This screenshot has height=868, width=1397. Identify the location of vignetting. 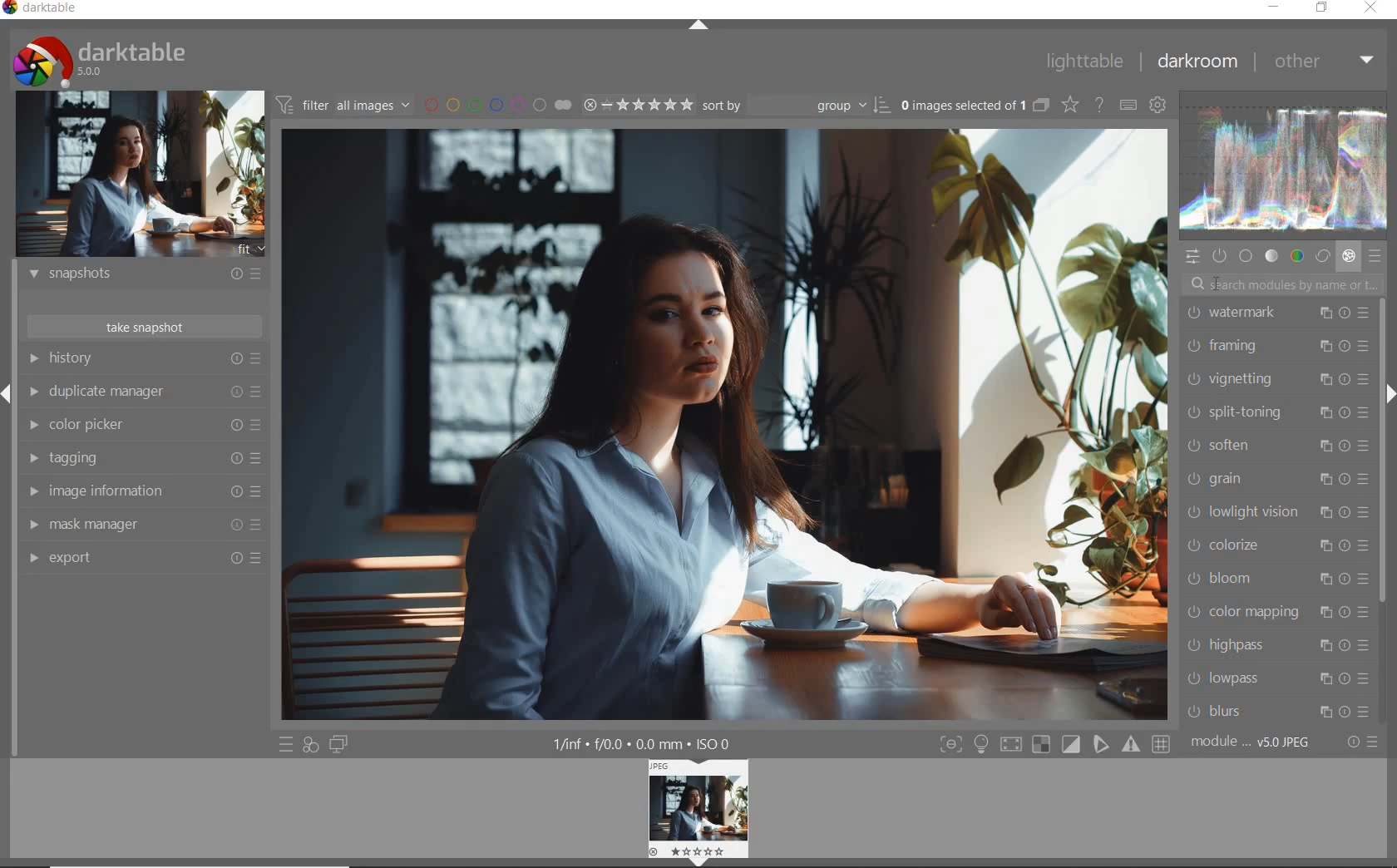
(1276, 379).